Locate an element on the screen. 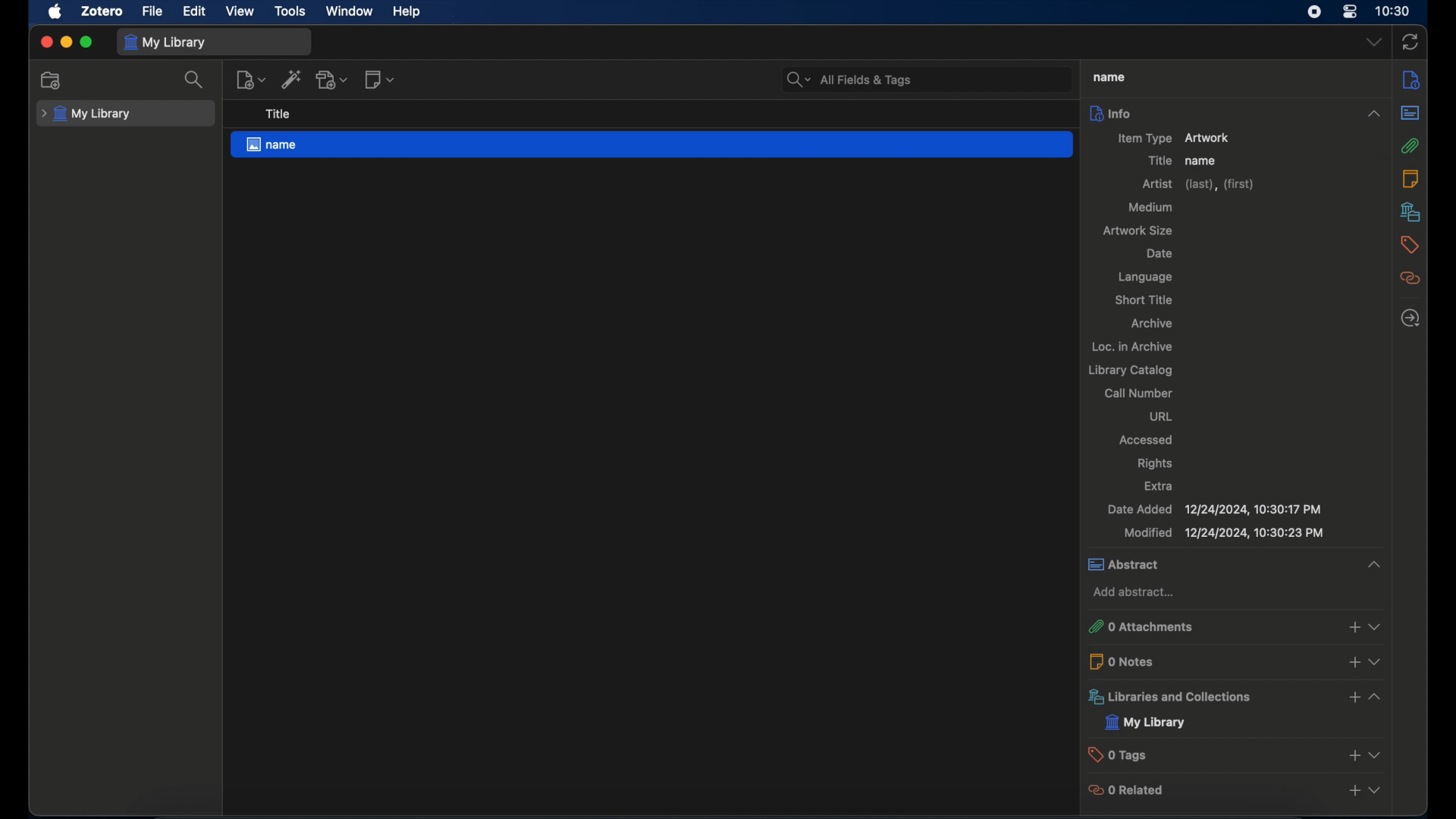 The height and width of the screenshot is (819, 1456). call number is located at coordinates (1138, 394).